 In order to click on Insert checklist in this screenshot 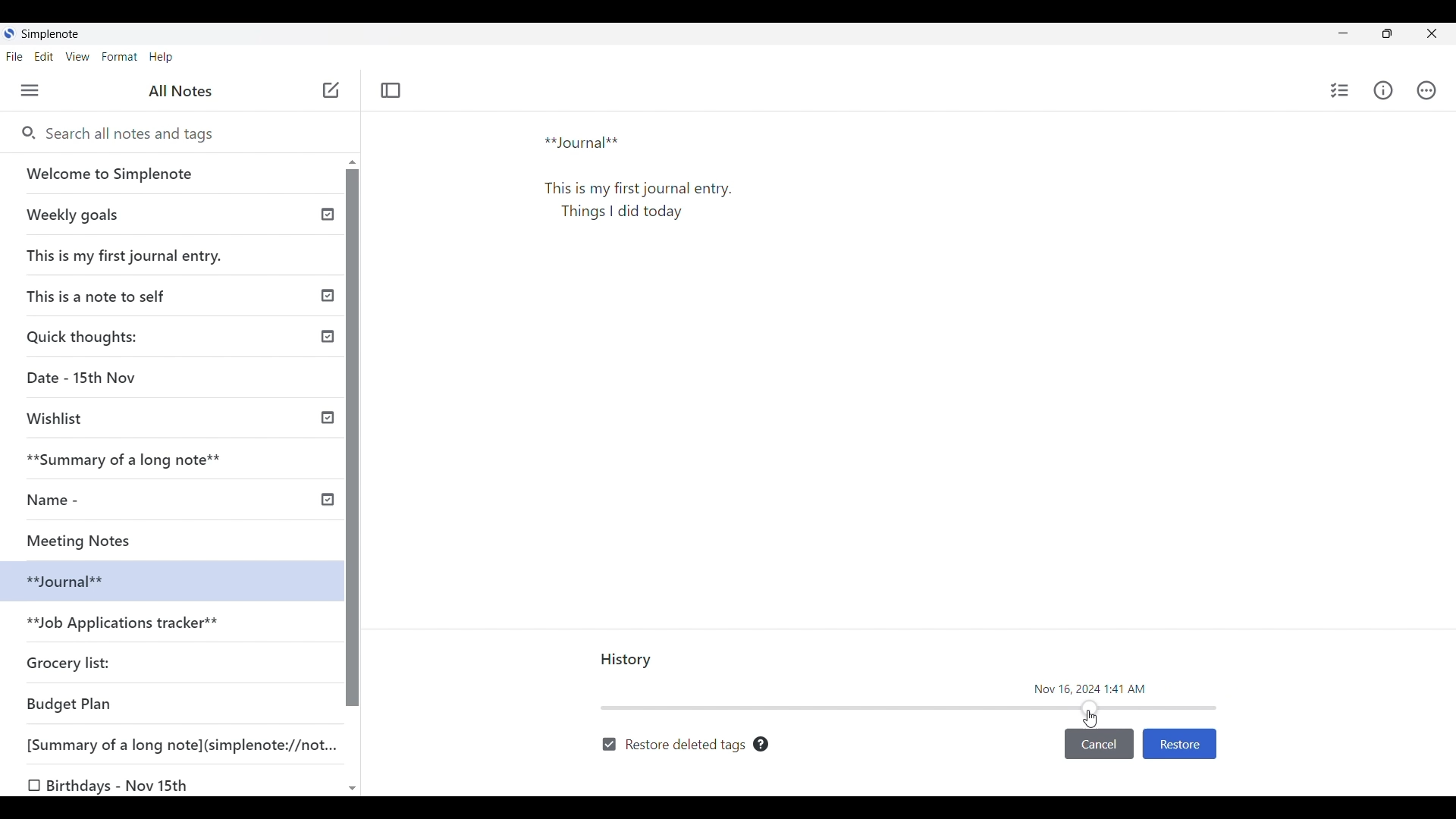, I will do `click(1341, 90)`.